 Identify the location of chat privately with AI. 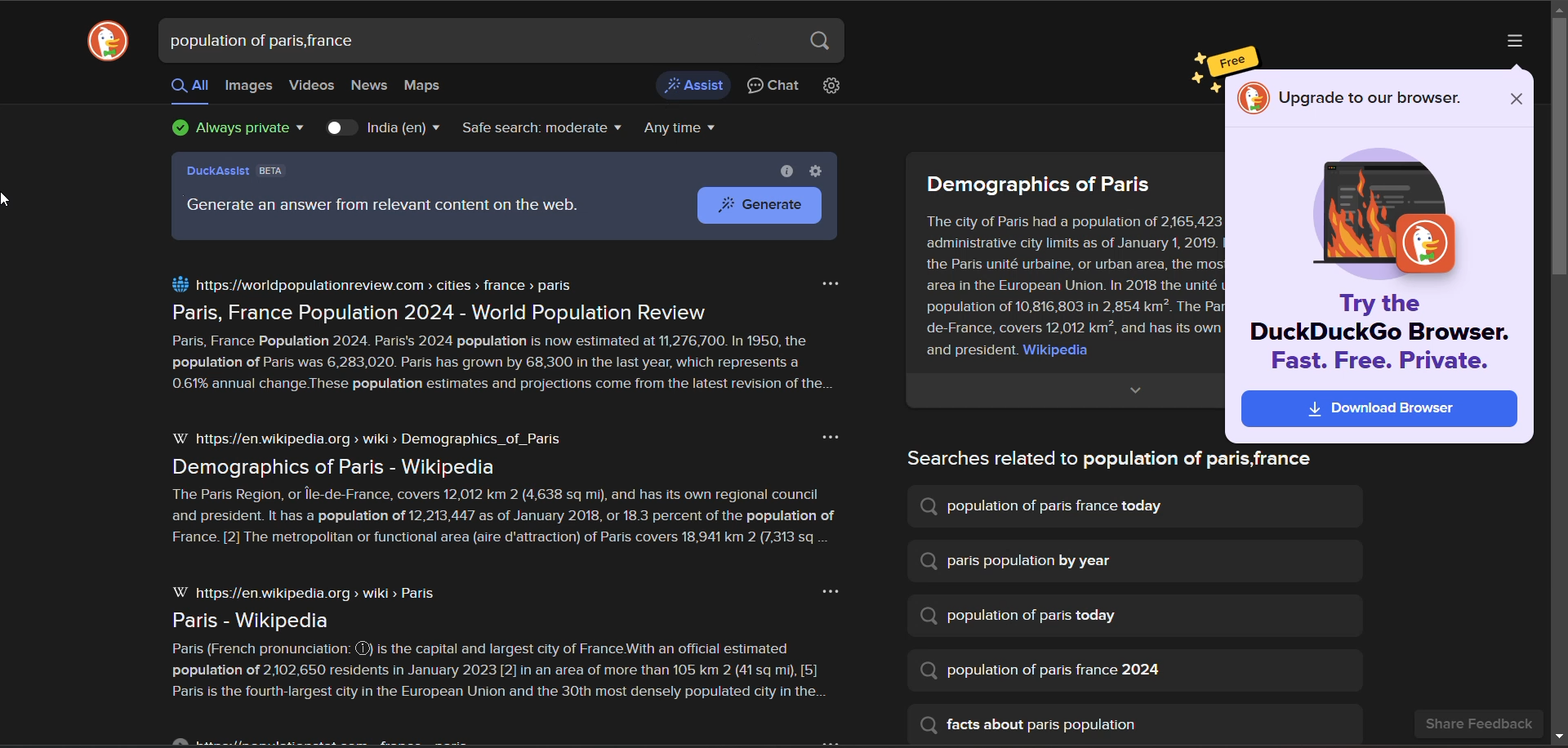
(774, 87).